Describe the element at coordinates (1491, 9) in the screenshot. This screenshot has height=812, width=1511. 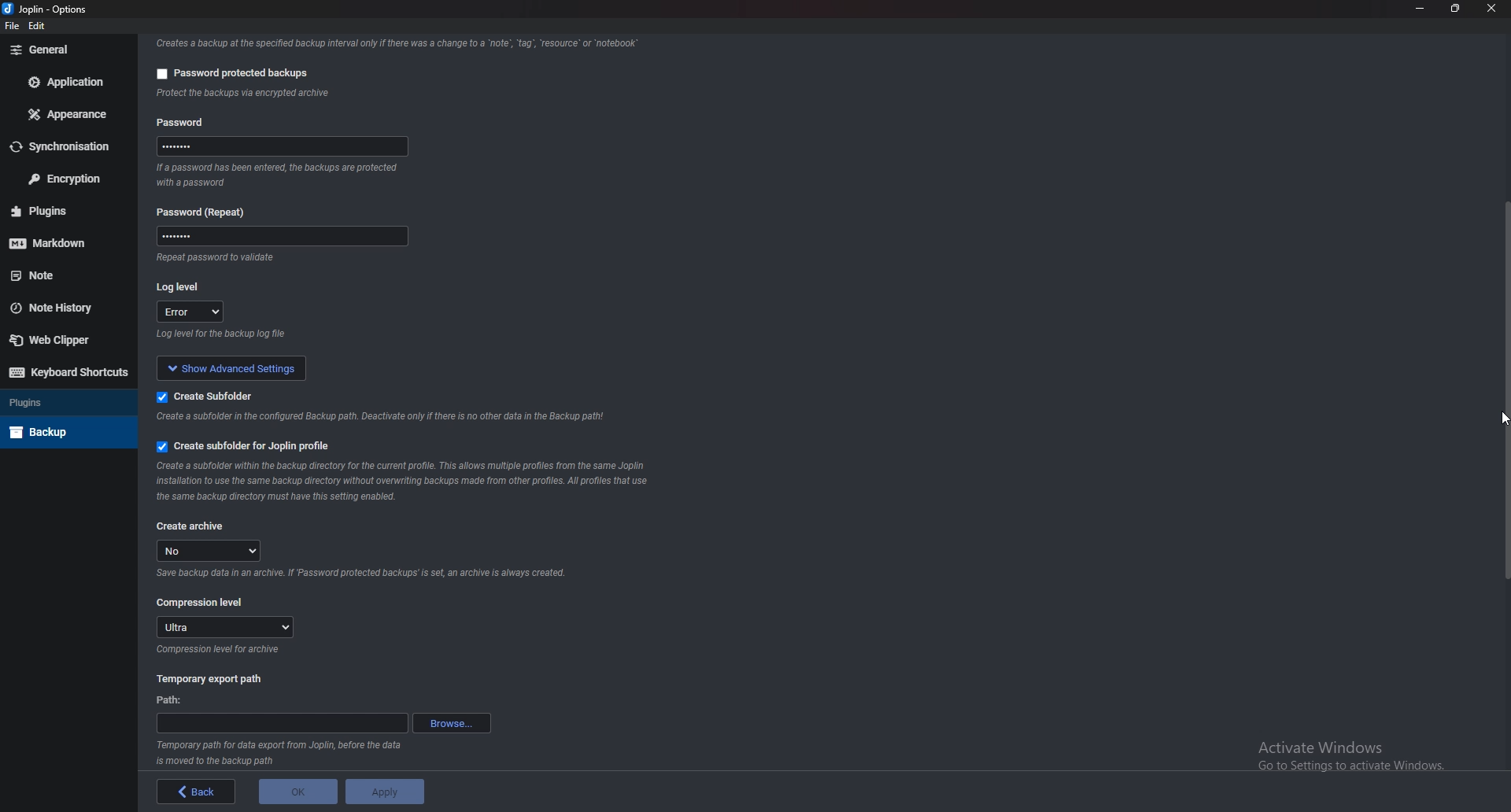
I see `close` at that location.